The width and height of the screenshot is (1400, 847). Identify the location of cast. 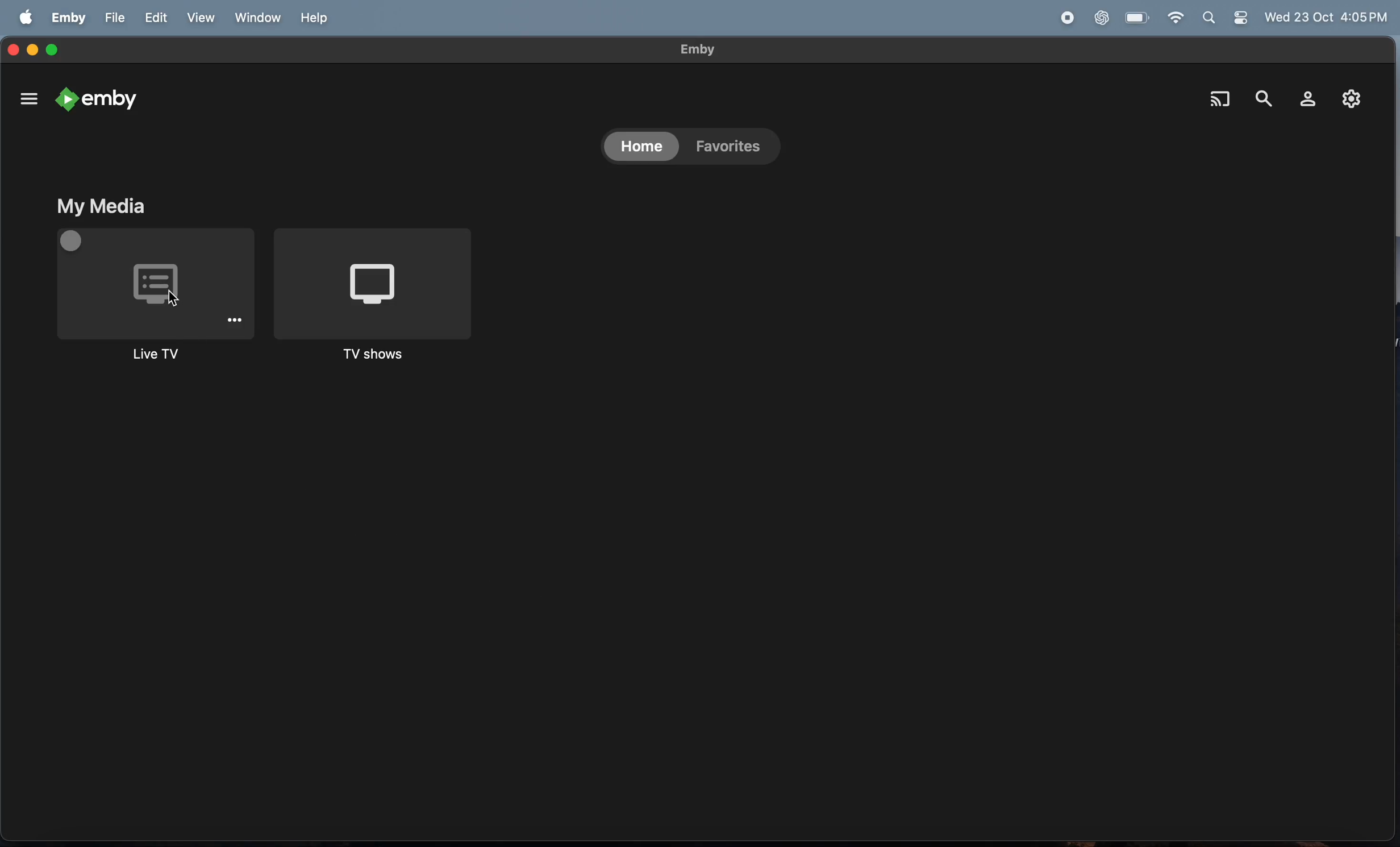
(1221, 99).